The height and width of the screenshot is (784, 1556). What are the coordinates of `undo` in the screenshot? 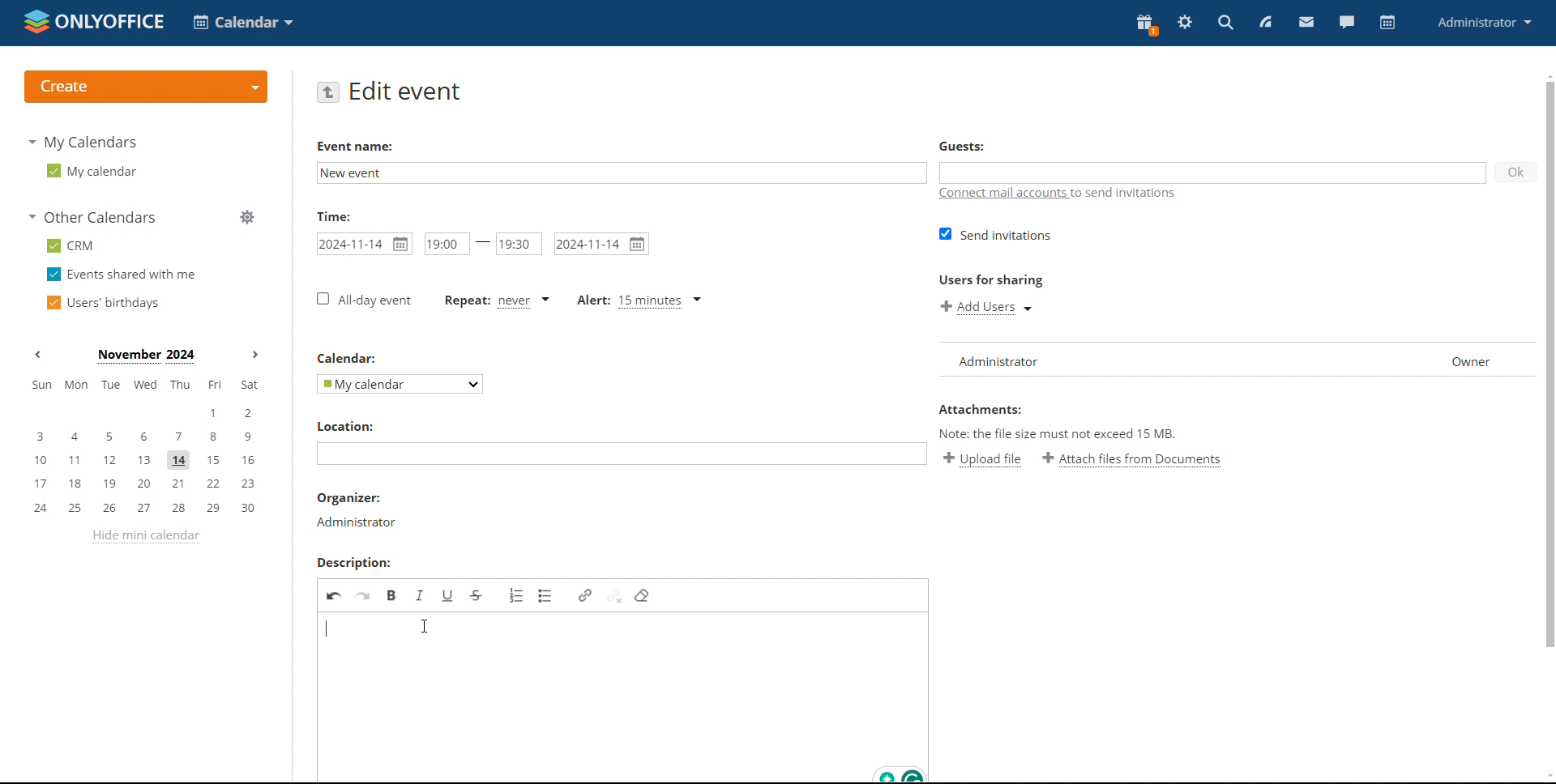 It's located at (333, 594).